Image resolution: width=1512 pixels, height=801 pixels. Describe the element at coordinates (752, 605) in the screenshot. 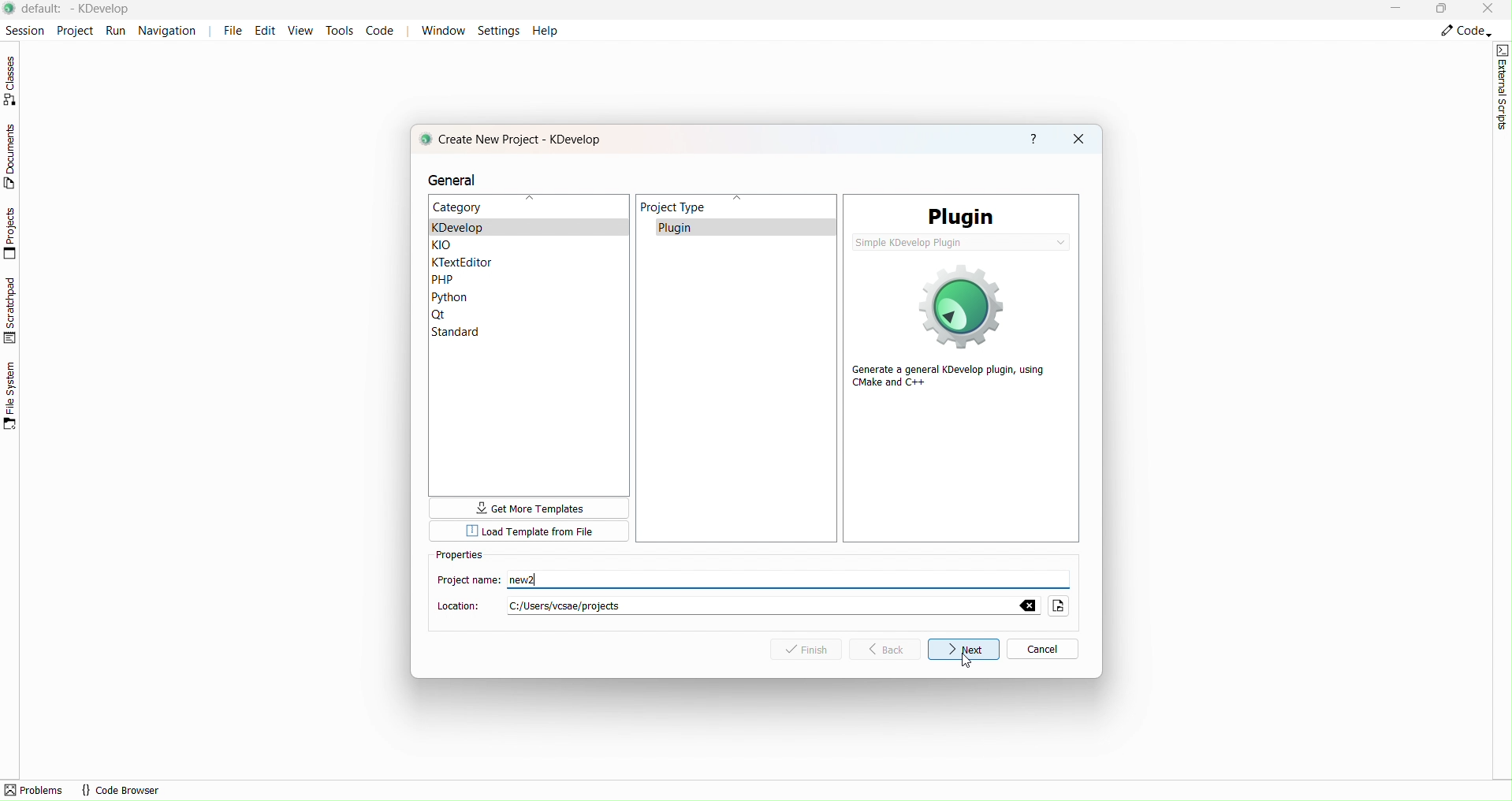

I see `location: ` at that location.